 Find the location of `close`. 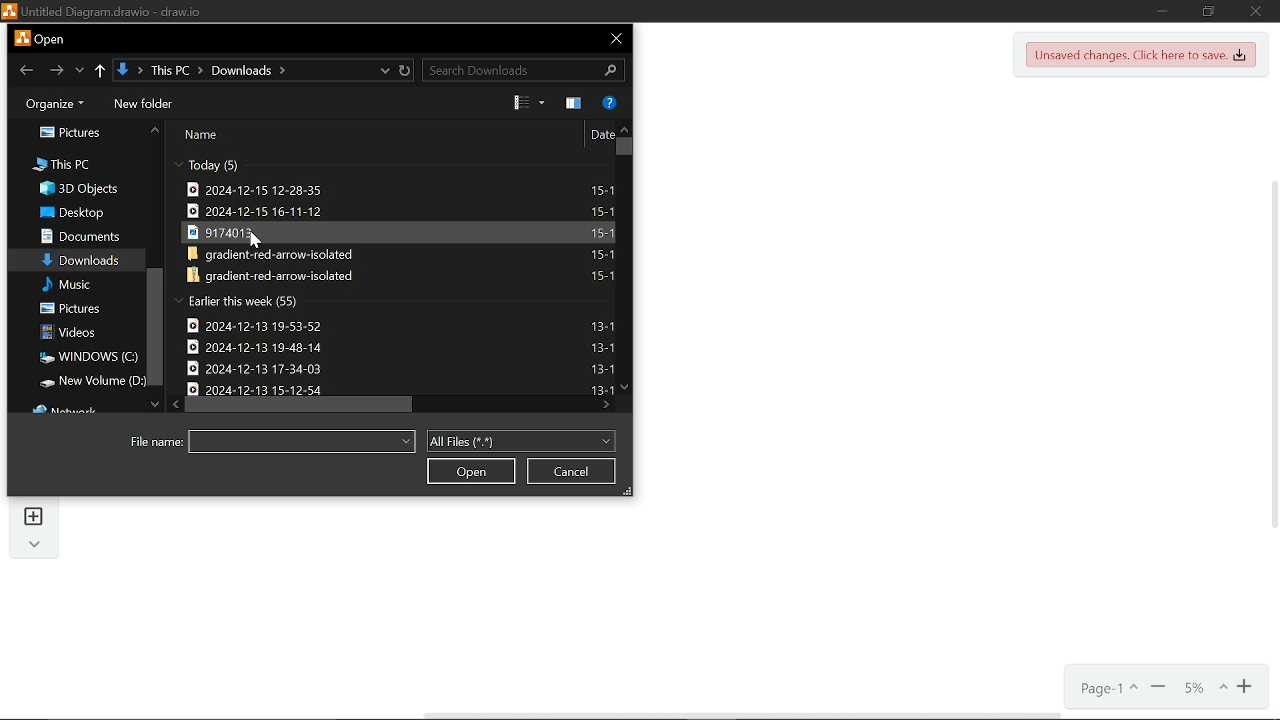

close is located at coordinates (612, 38).